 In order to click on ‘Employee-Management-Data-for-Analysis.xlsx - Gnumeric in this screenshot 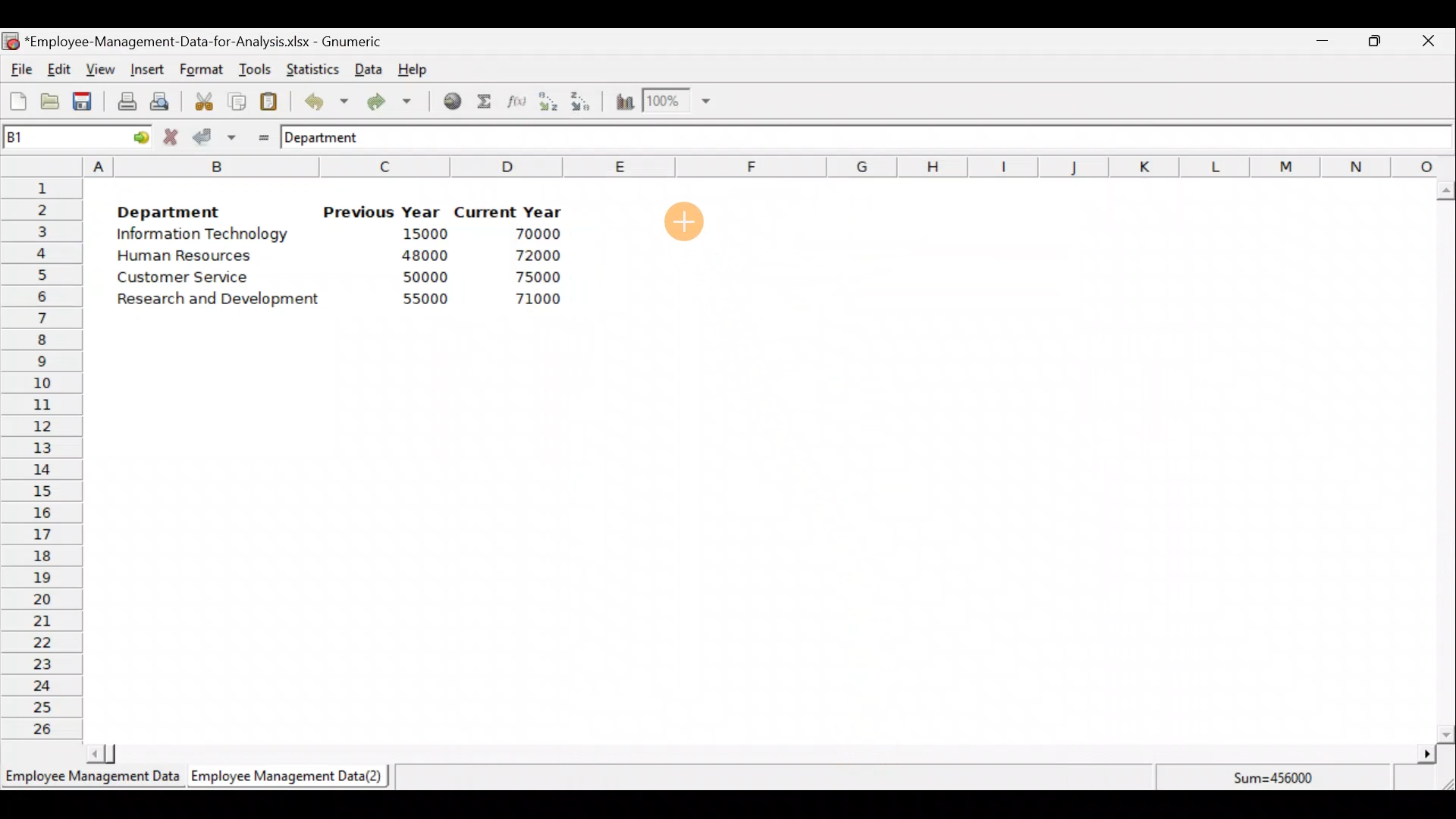, I will do `click(208, 40)`.